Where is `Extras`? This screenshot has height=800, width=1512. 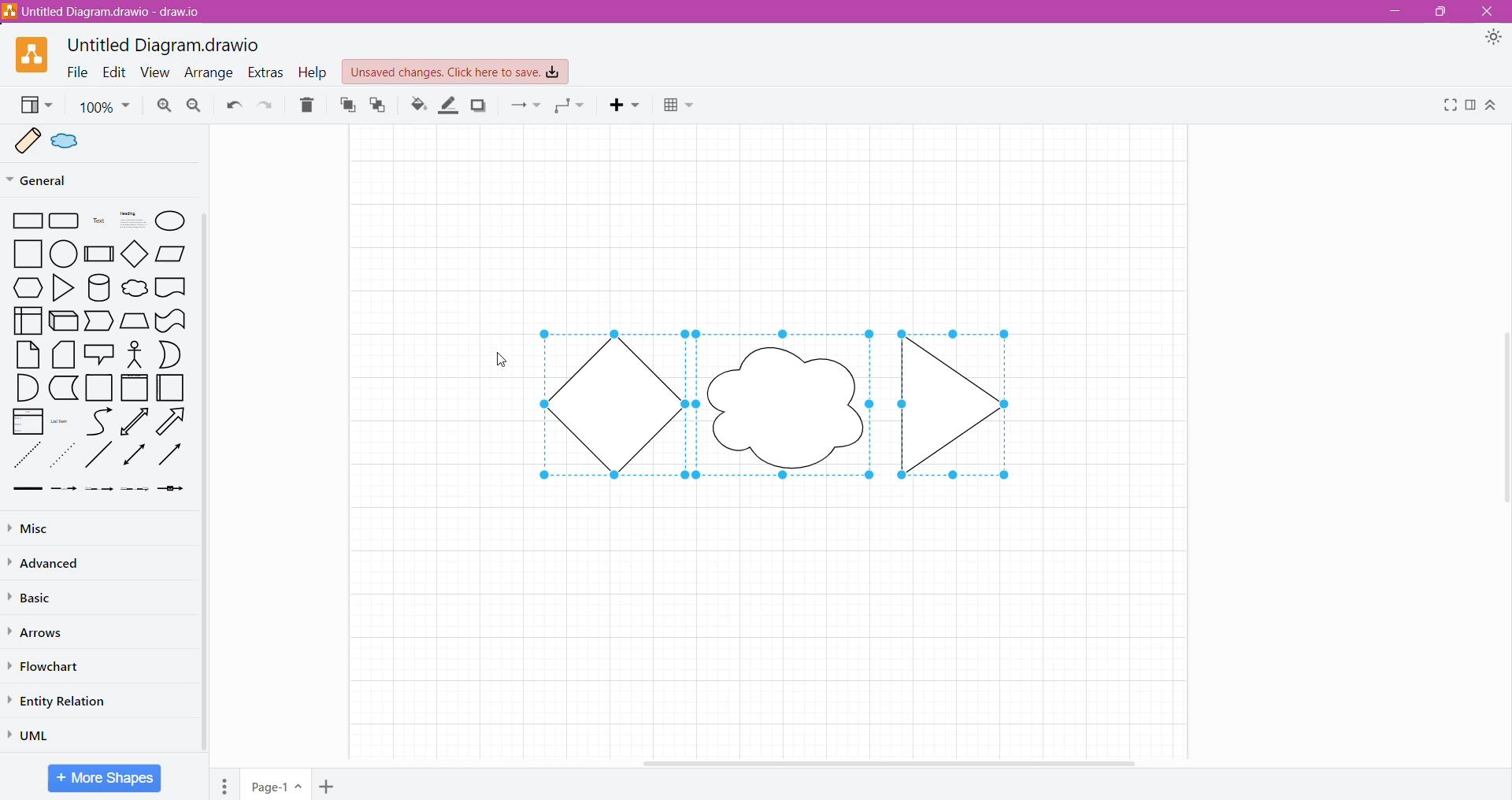 Extras is located at coordinates (265, 74).